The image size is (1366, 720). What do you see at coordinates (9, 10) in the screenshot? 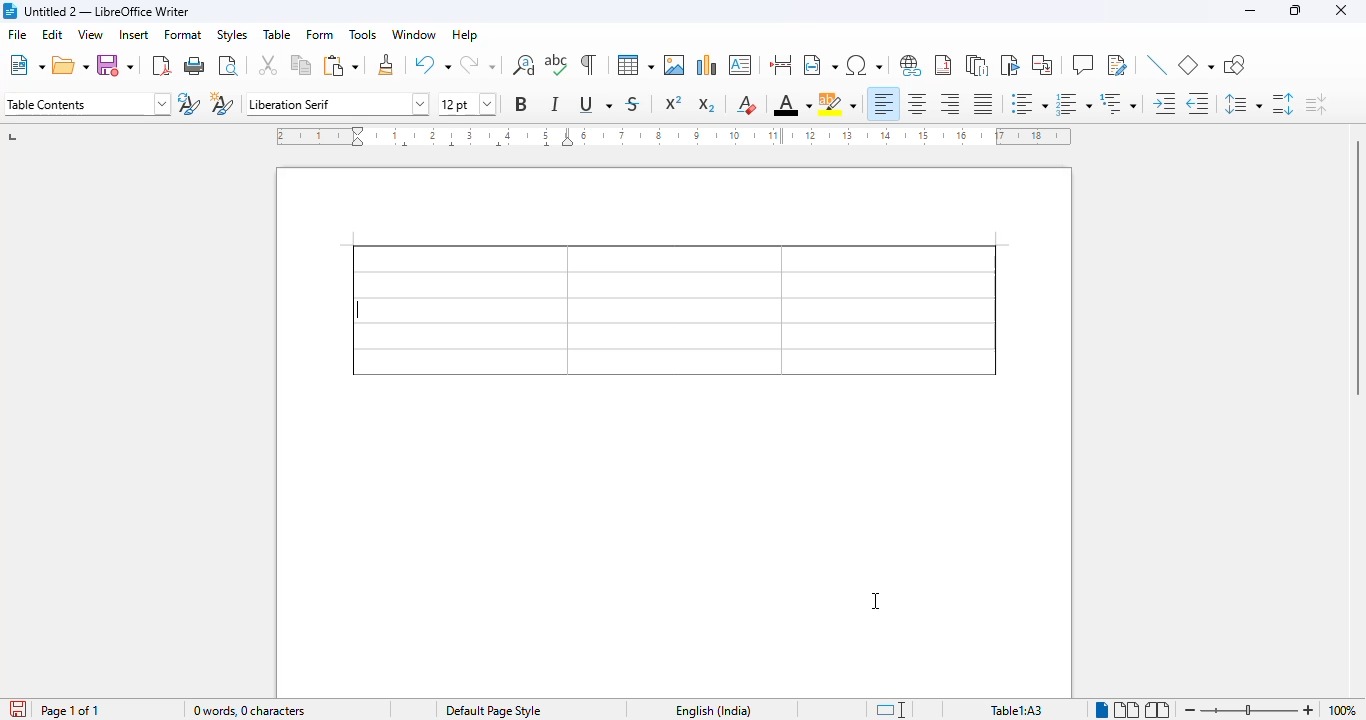
I see `logo` at bounding box center [9, 10].